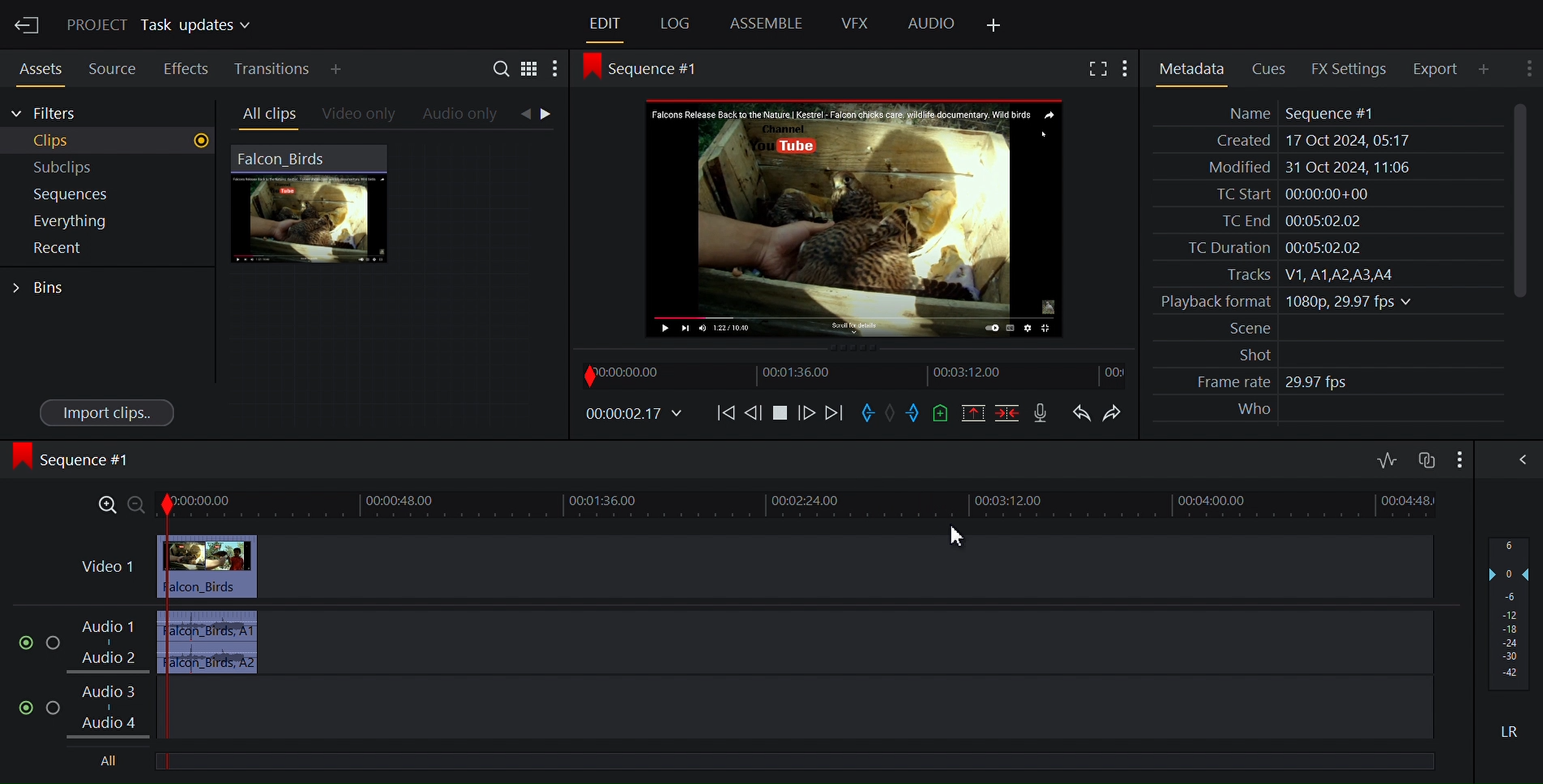  I want to click on Audio, so click(930, 25).